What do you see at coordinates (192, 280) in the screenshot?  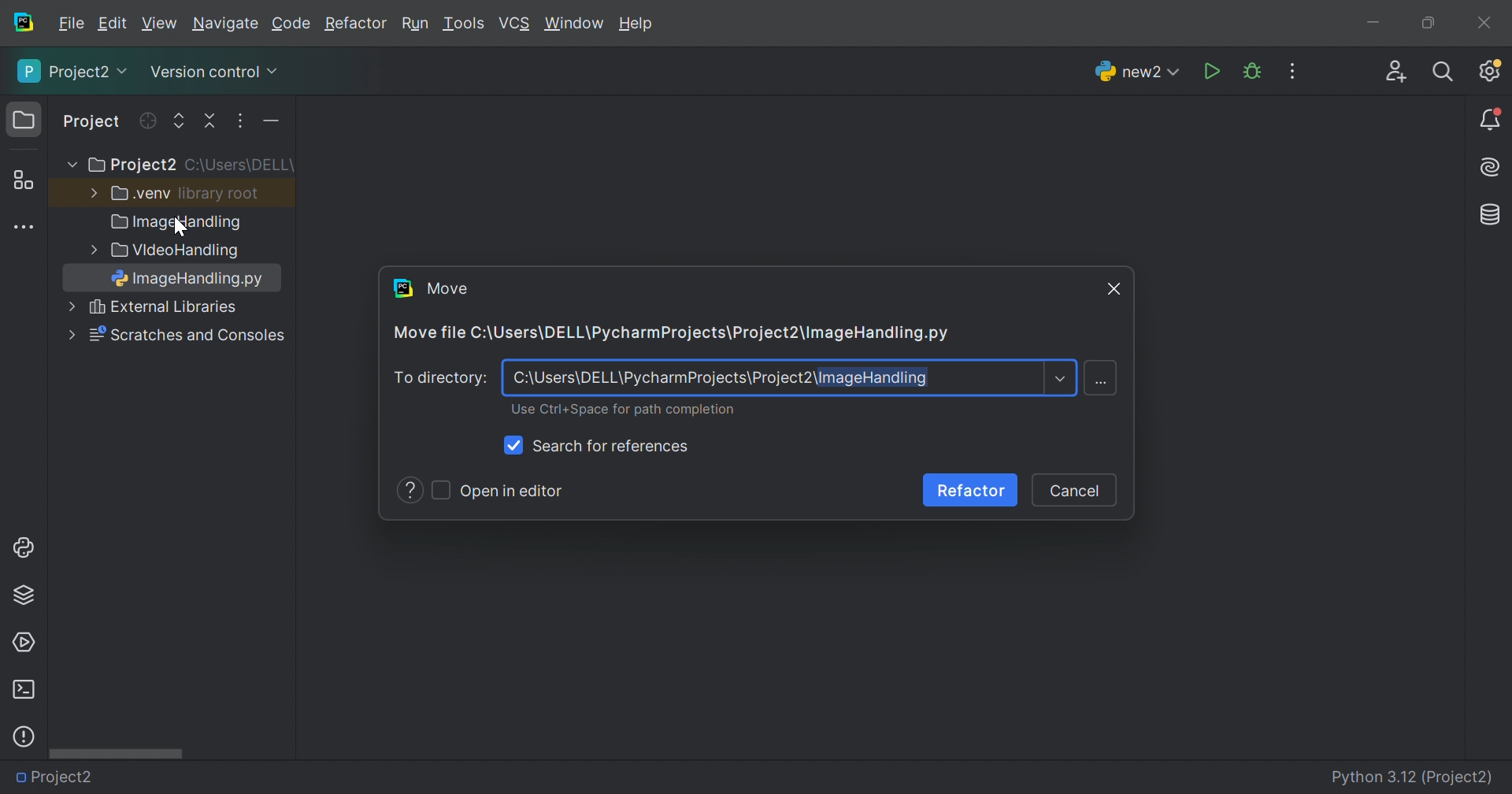 I see `ImageHandling` at bounding box center [192, 280].